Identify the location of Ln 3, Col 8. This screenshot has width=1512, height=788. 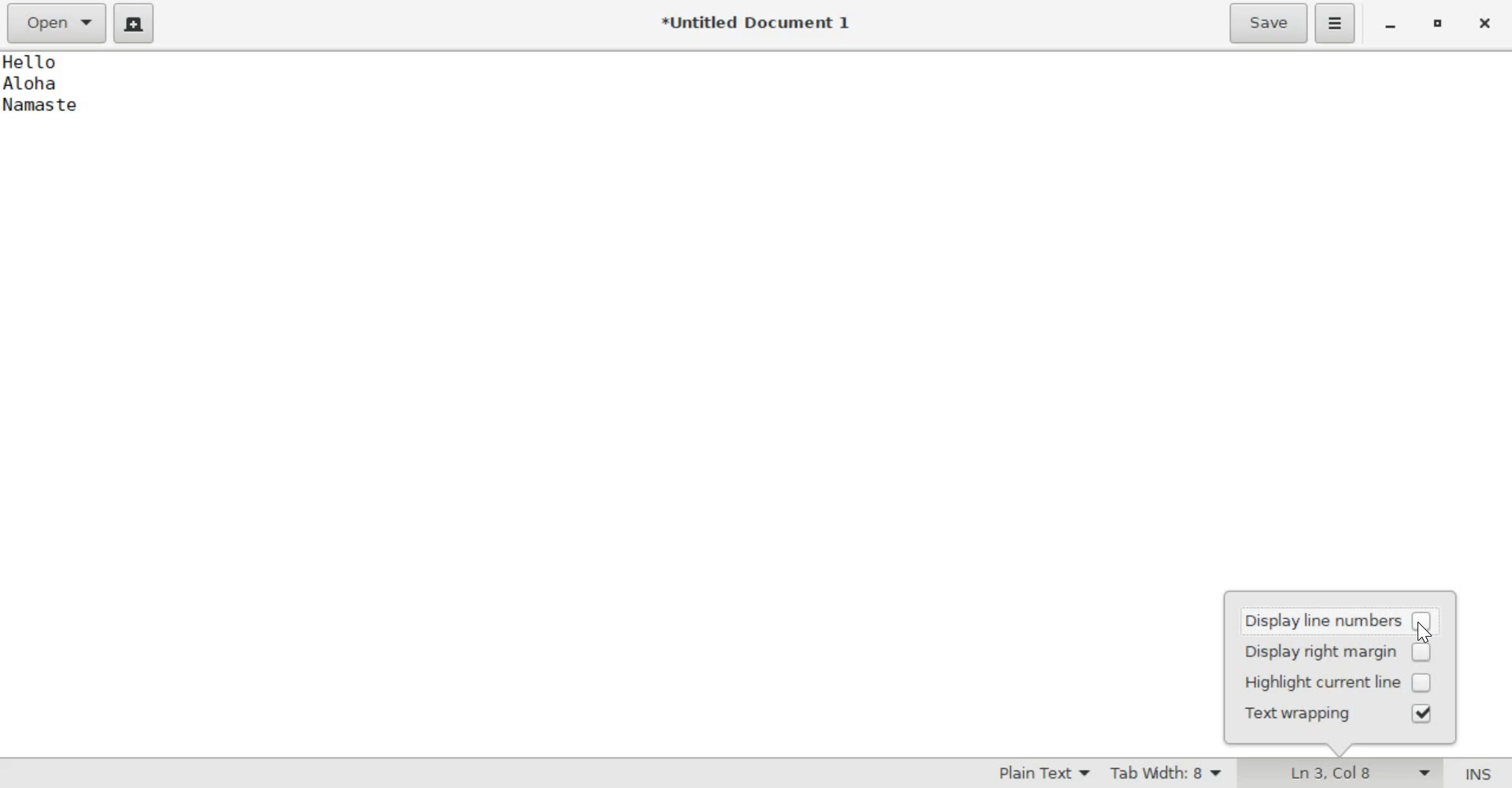
(1360, 771).